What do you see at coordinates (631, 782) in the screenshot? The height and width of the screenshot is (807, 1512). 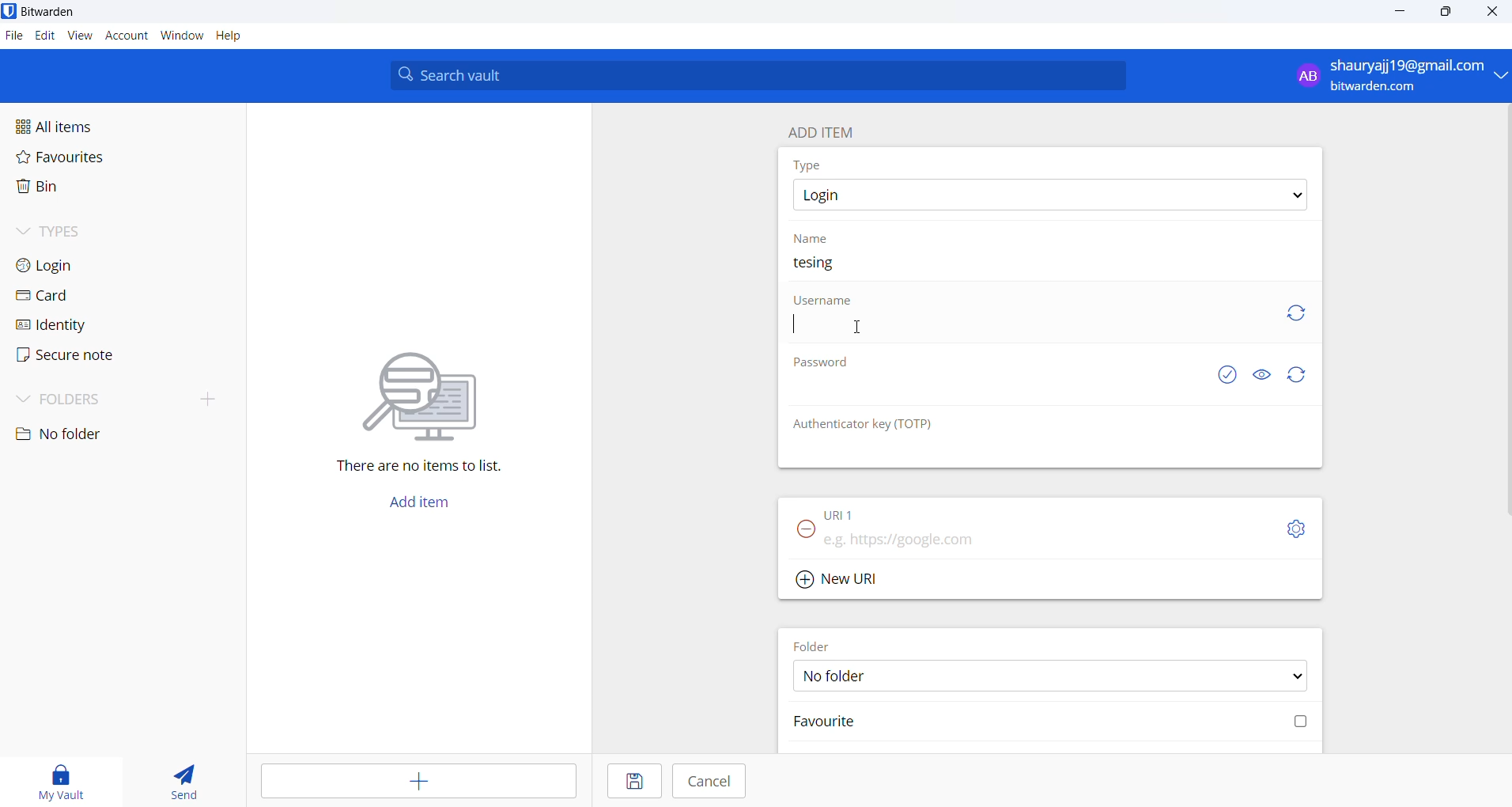 I see `Save` at bounding box center [631, 782].